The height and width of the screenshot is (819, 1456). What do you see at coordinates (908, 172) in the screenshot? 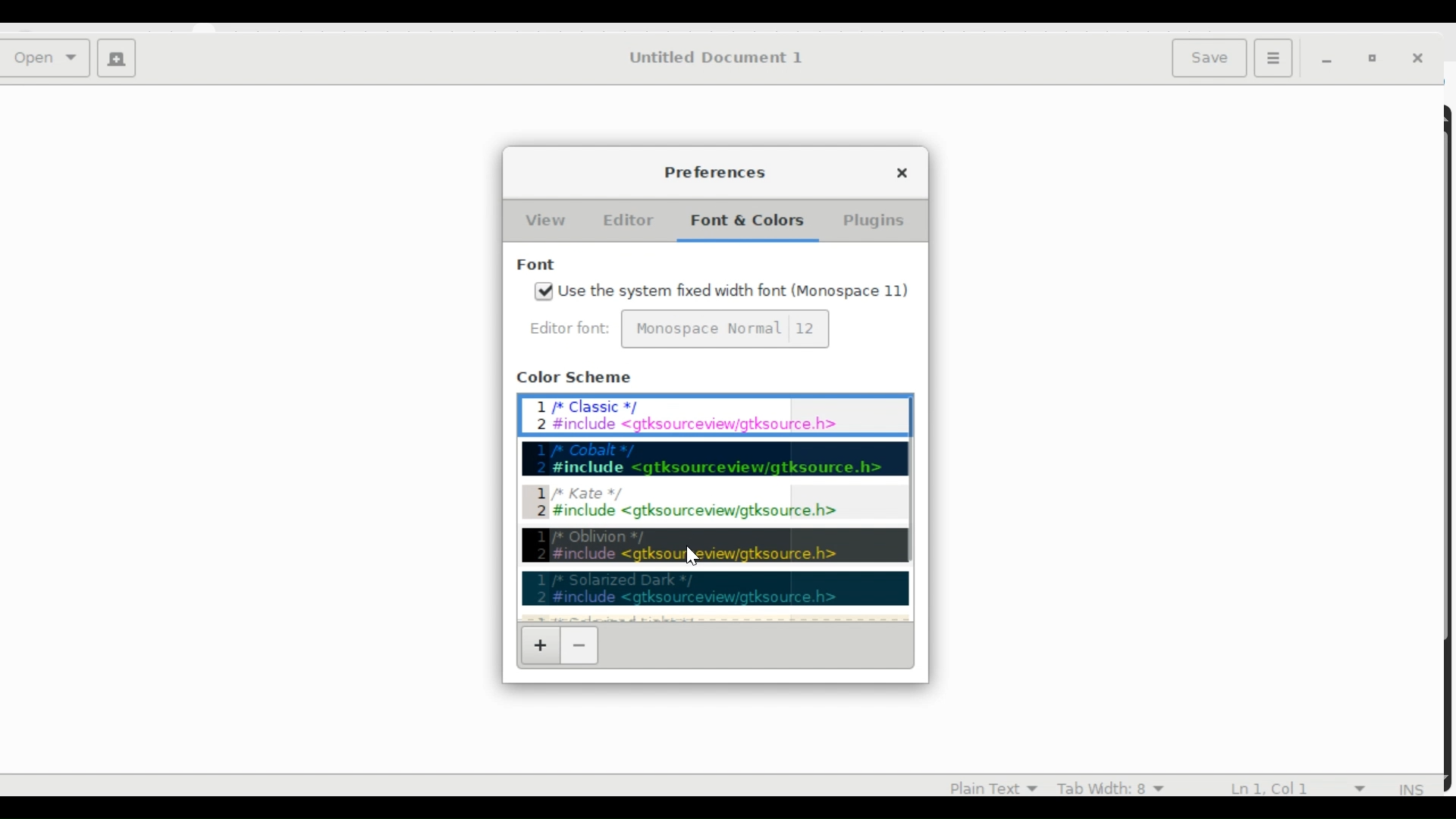
I see `Close` at bounding box center [908, 172].